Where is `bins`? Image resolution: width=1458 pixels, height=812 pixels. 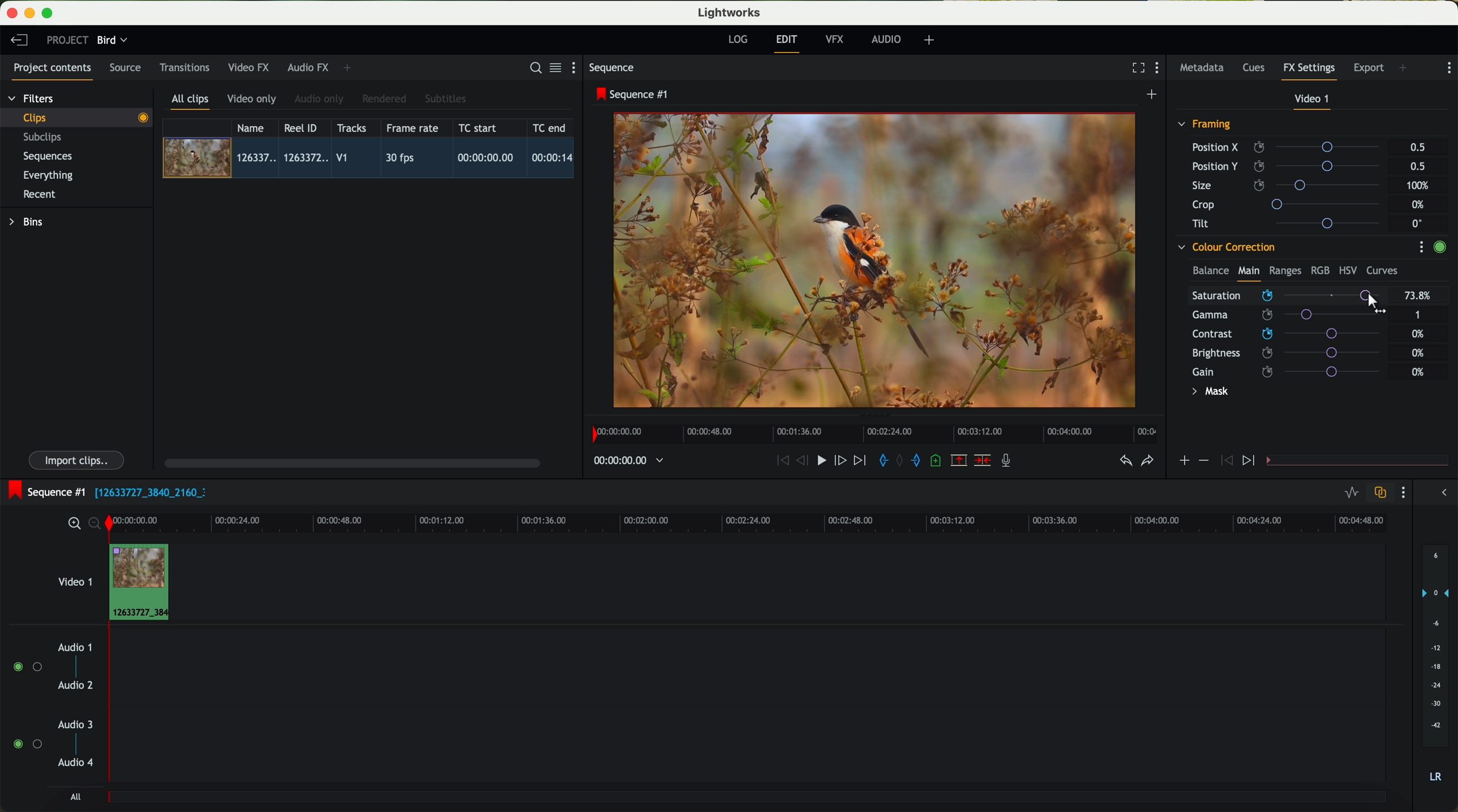
bins is located at coordinates (28, 222).